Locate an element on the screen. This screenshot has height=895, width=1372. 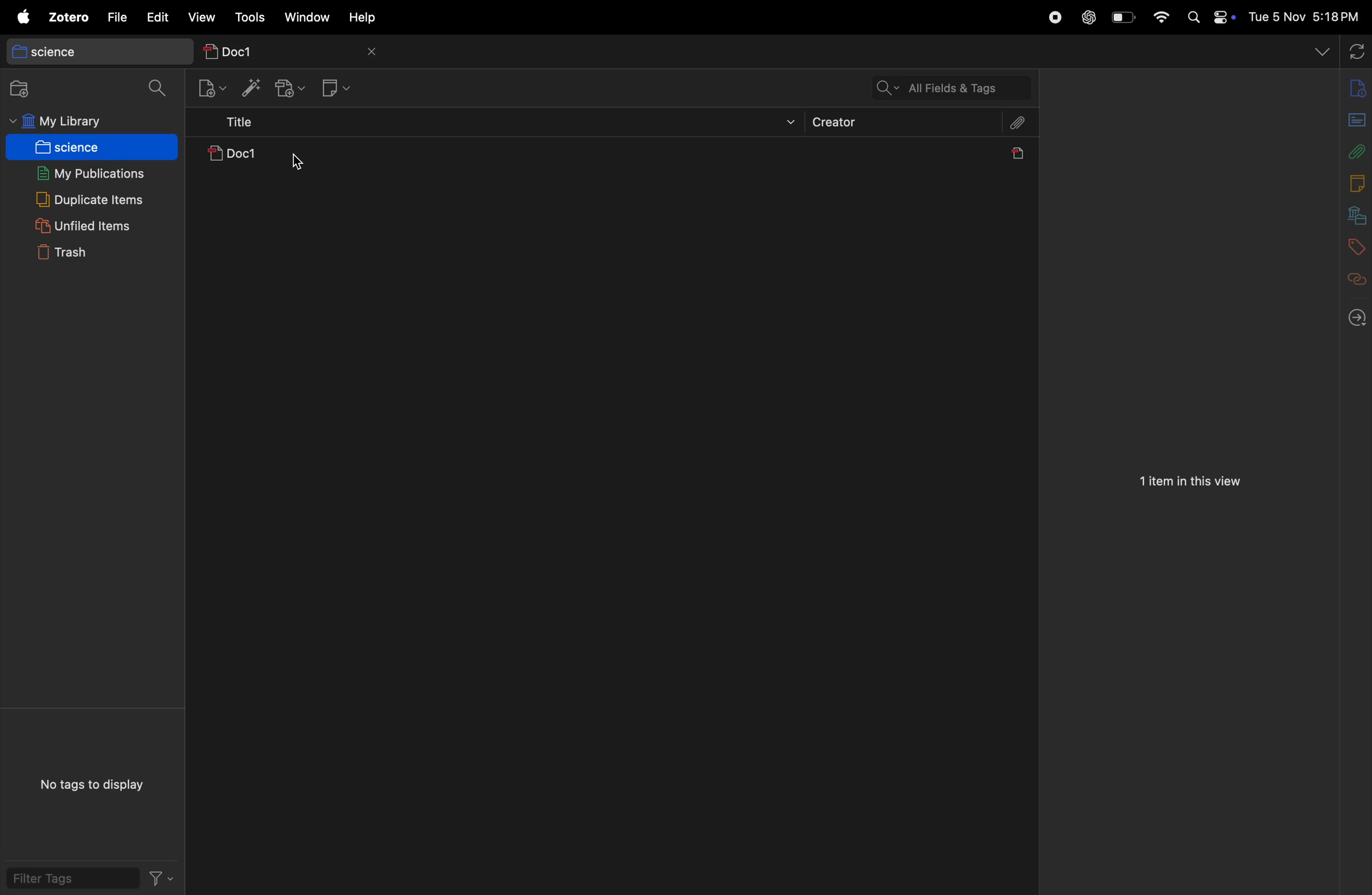
new collection is located at coordinates (26, 89).